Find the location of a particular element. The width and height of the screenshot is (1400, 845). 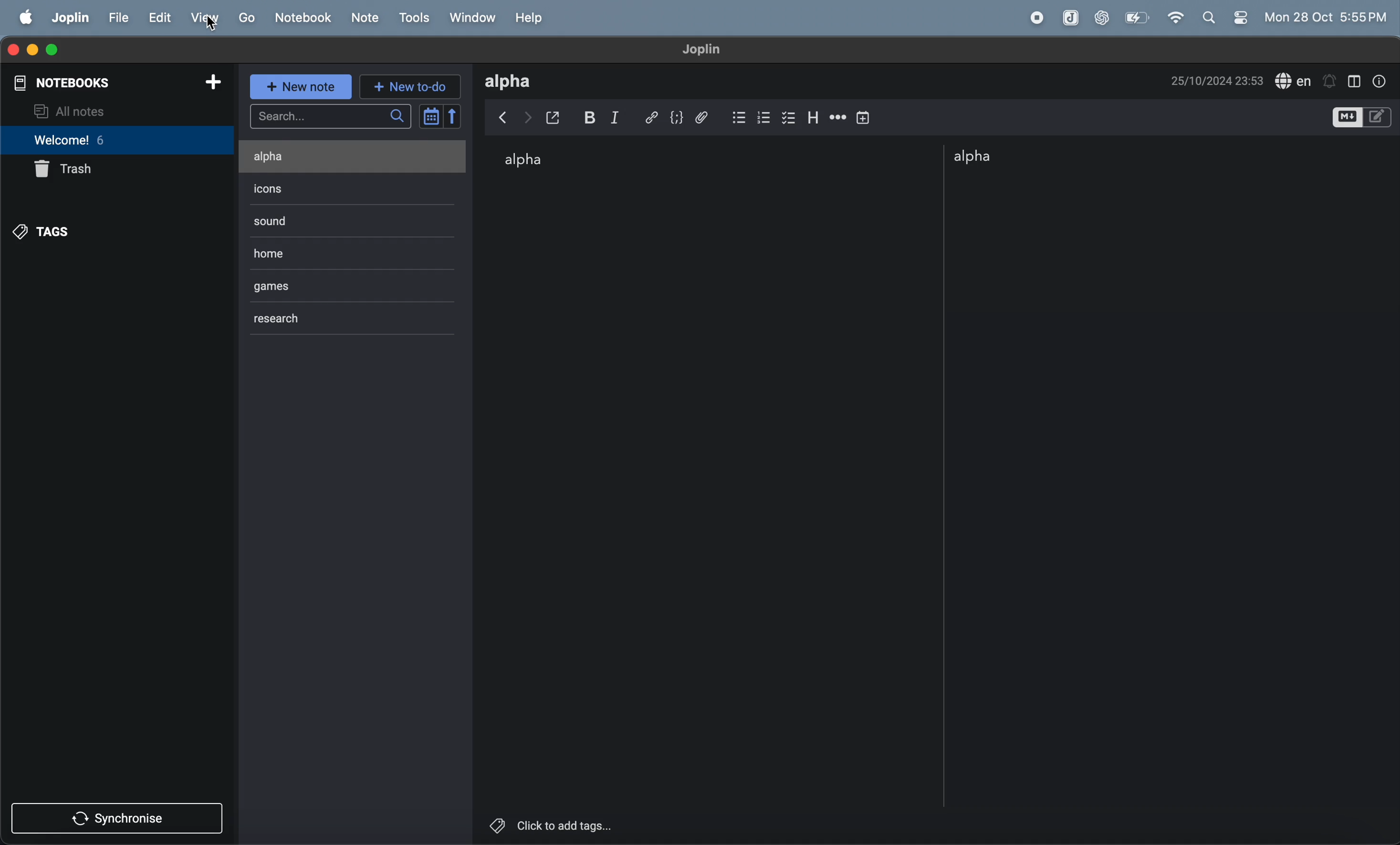

hyper link is located at coordinates (653, 116).